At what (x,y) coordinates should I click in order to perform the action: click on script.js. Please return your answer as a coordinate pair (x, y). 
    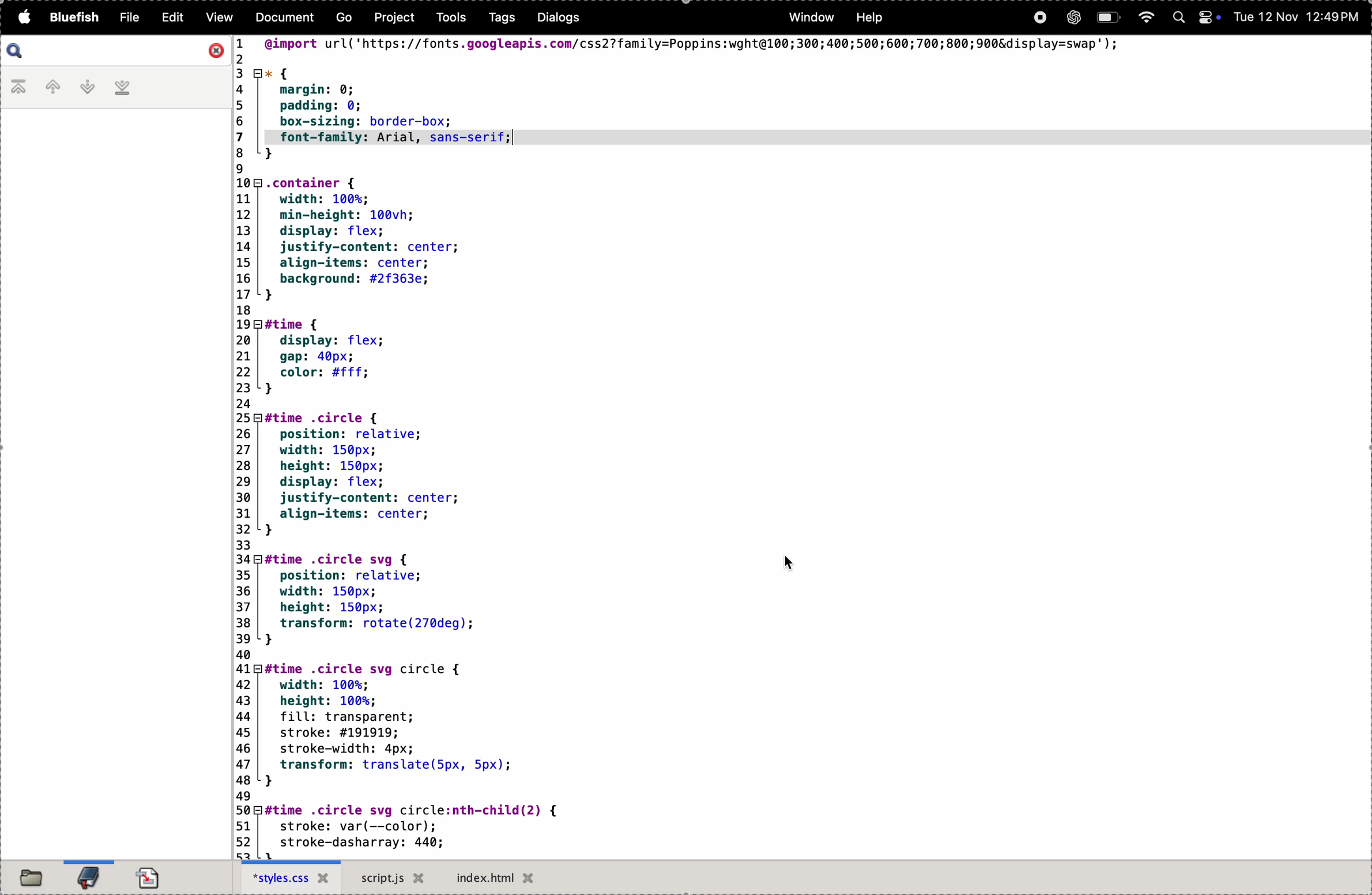
    Looking at the image, I should click on (392, 879).